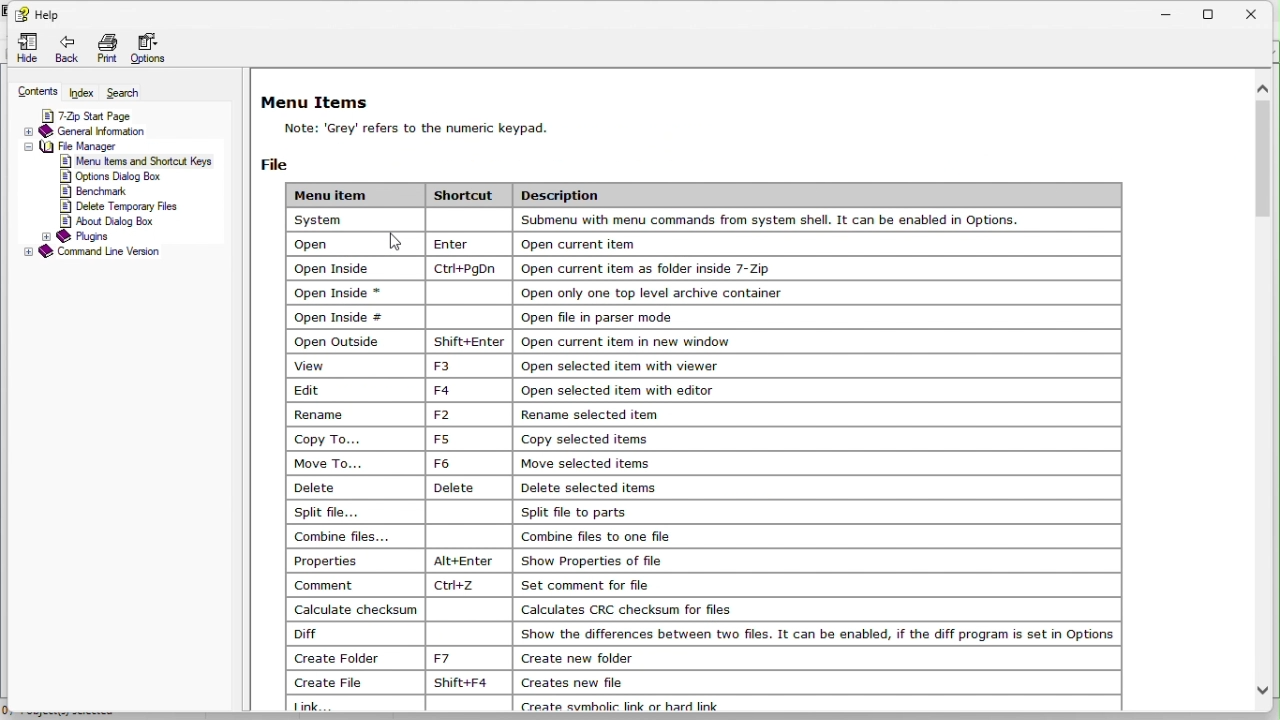 The width and height of the screenshot is (1280, 720). I want to click on | Copy To... | Fs | Copy selected items, so click(479, 438).